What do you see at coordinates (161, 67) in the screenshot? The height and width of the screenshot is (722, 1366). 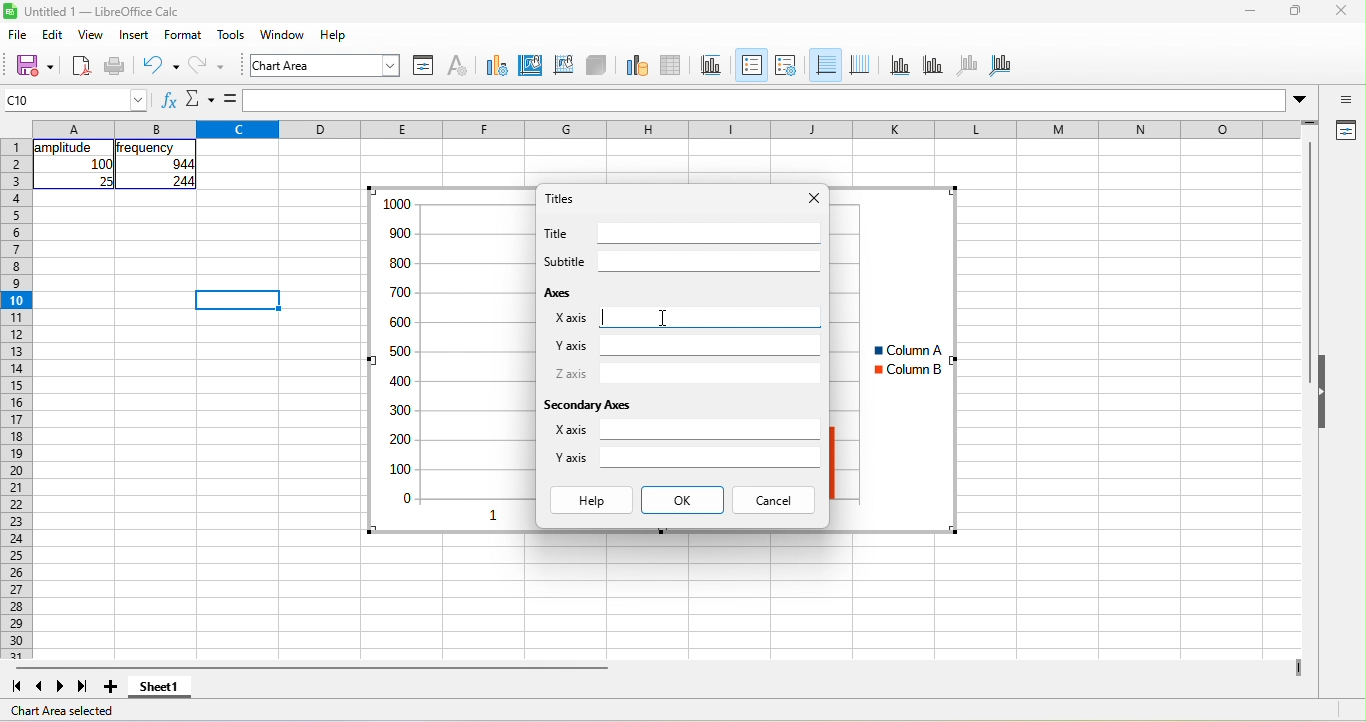 I see `undo` at bounding box center [161, 67].